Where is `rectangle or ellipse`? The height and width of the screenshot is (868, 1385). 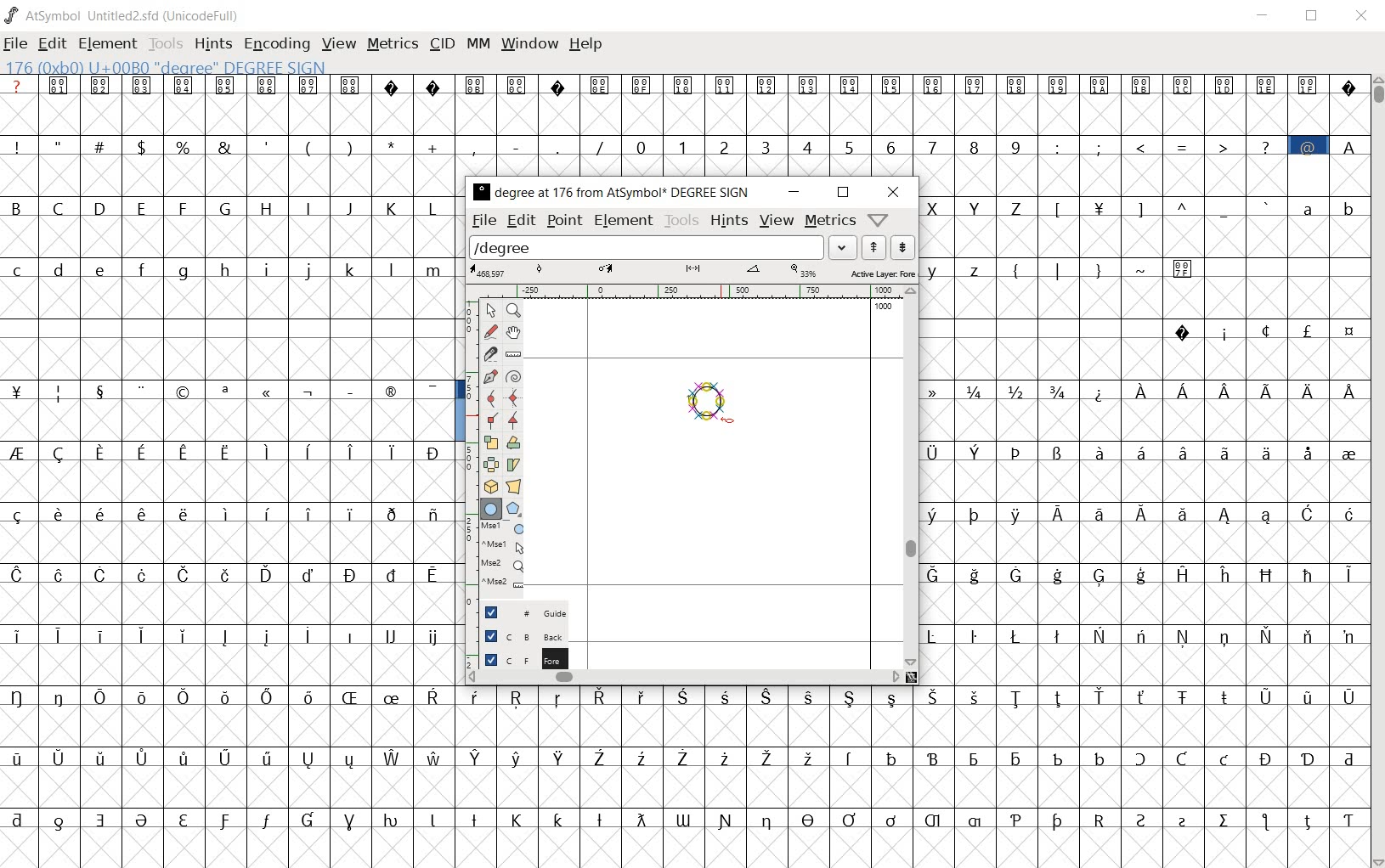
rectangle or ellipse is located at coordinates (490, 508).